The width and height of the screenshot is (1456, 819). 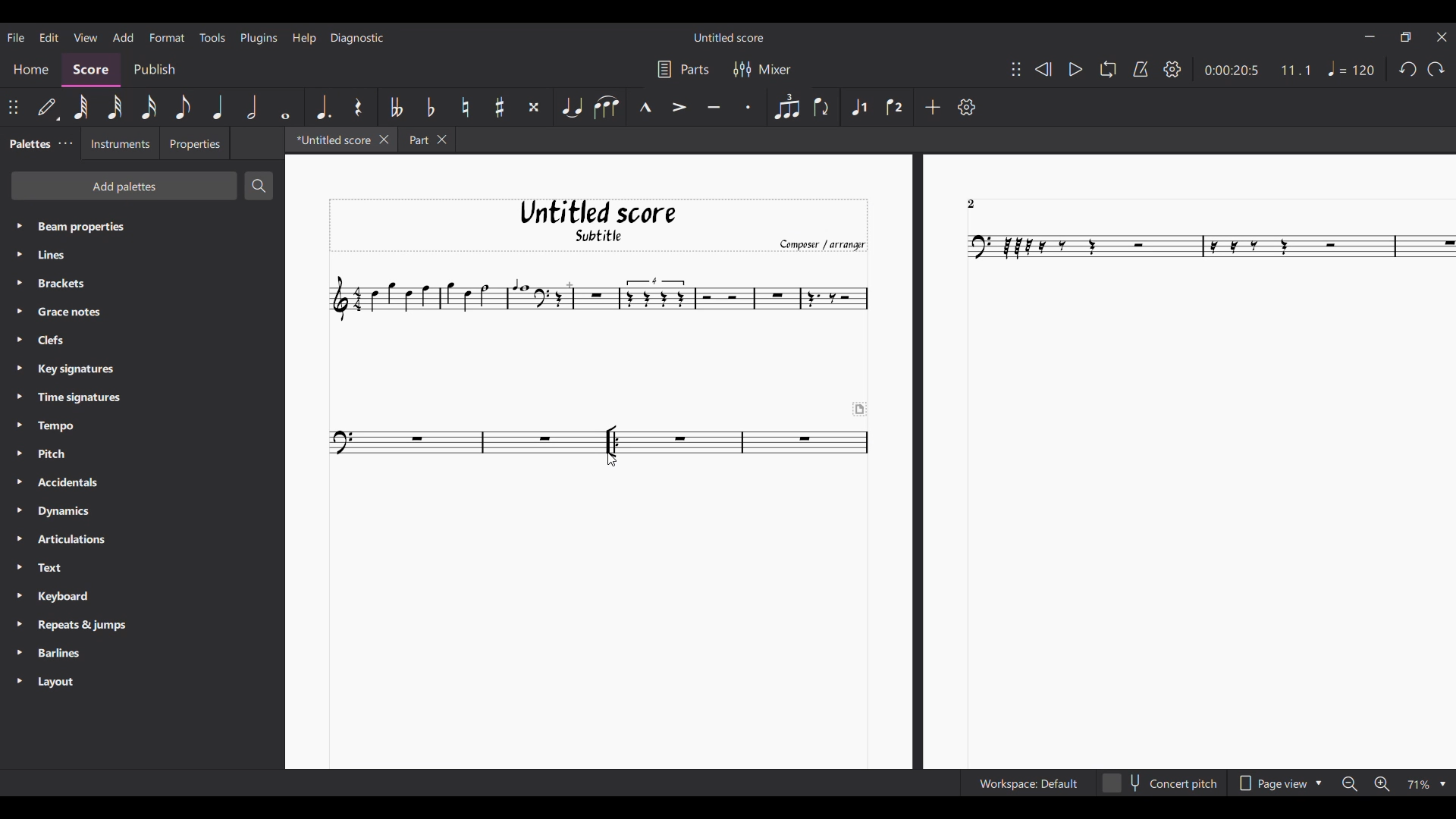 I want to click on Slur, so click(x=606, y=107).